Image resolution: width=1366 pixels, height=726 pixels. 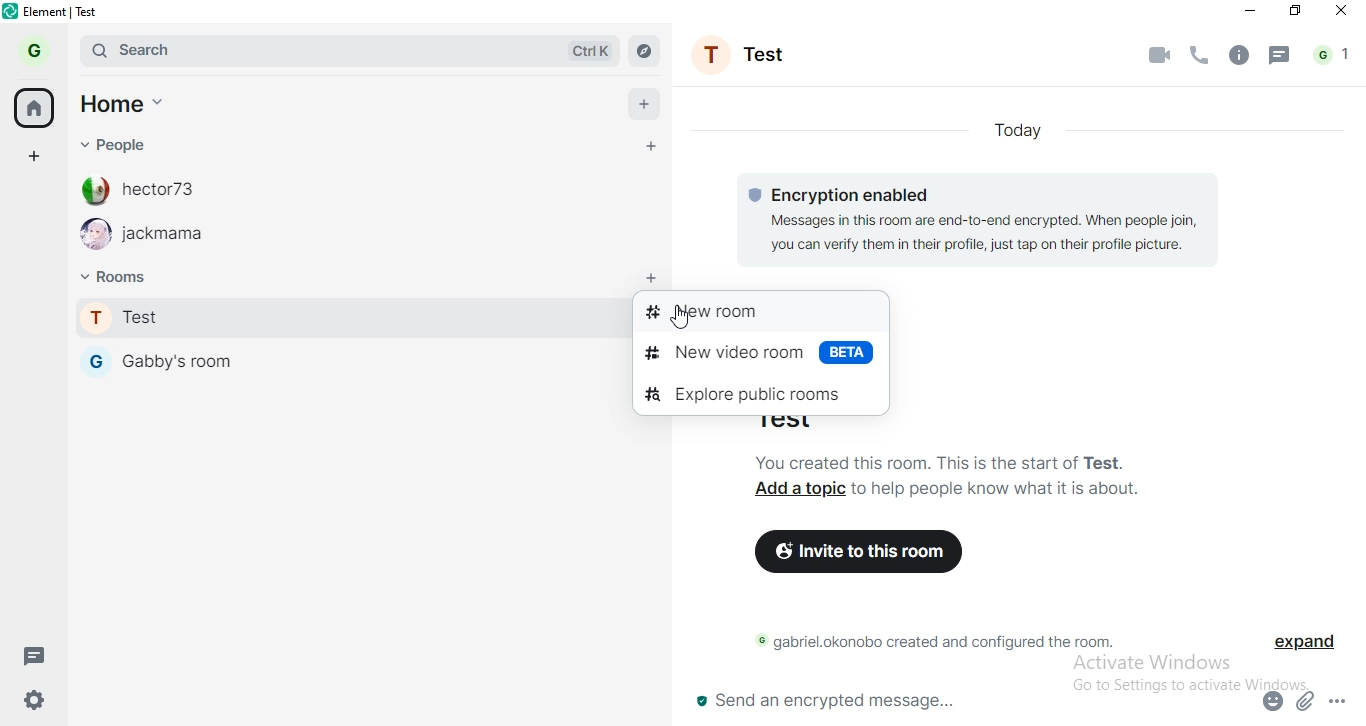 What do you see at coordinates (974, 215) in the screenshot?
I see `© Encryption enabled
Messages in this room are end-to-end encrypted. When people join,
you can verify them in their profile, just tap on their profile picture.` at bounding box center [974, 215].